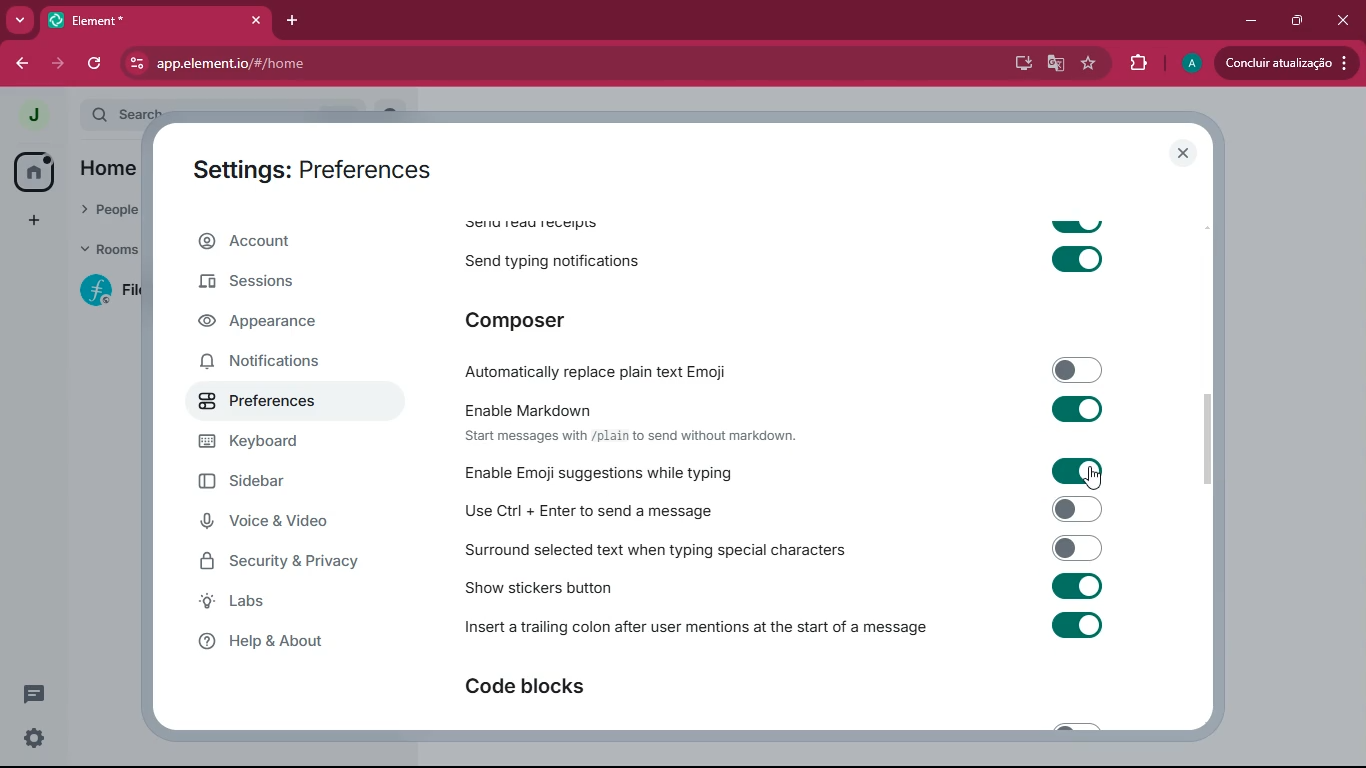 The image size is (1366, 768). I want to click on extensions, so click(1138, 63).